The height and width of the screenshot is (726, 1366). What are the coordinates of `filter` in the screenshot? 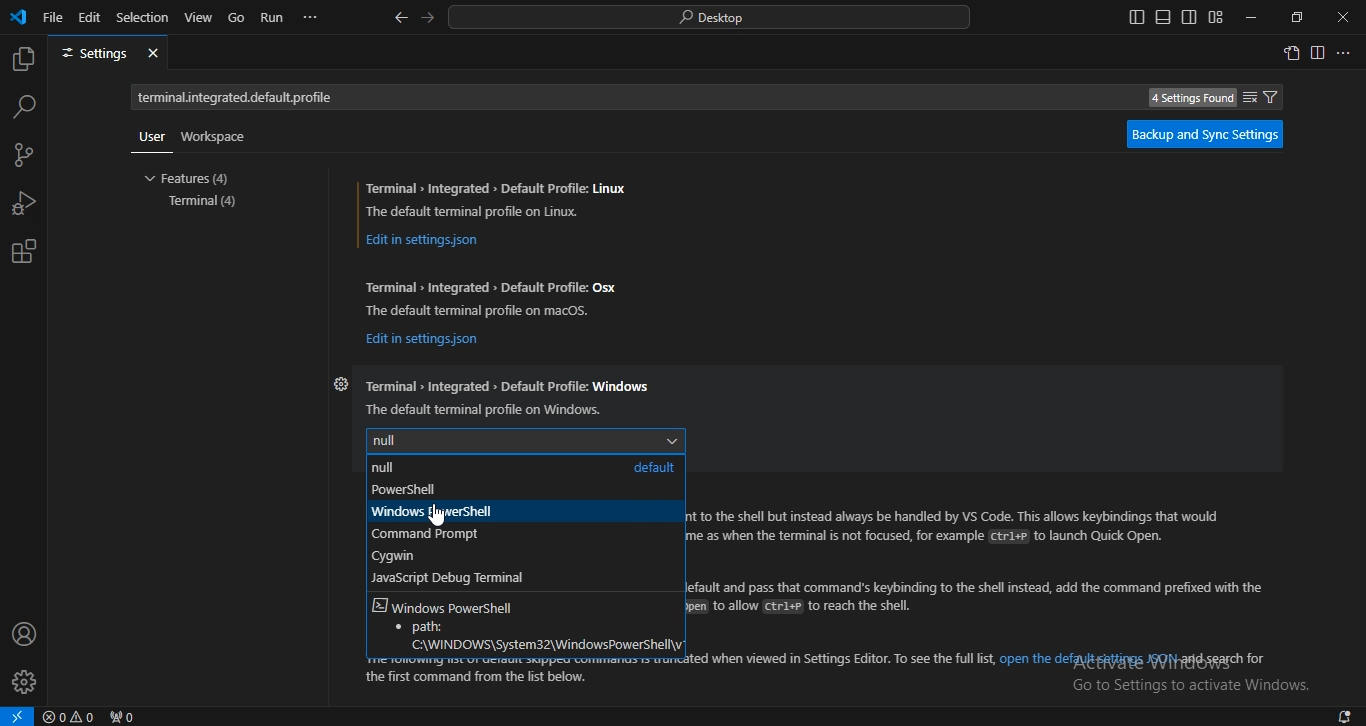 It's located at (1259, 97).